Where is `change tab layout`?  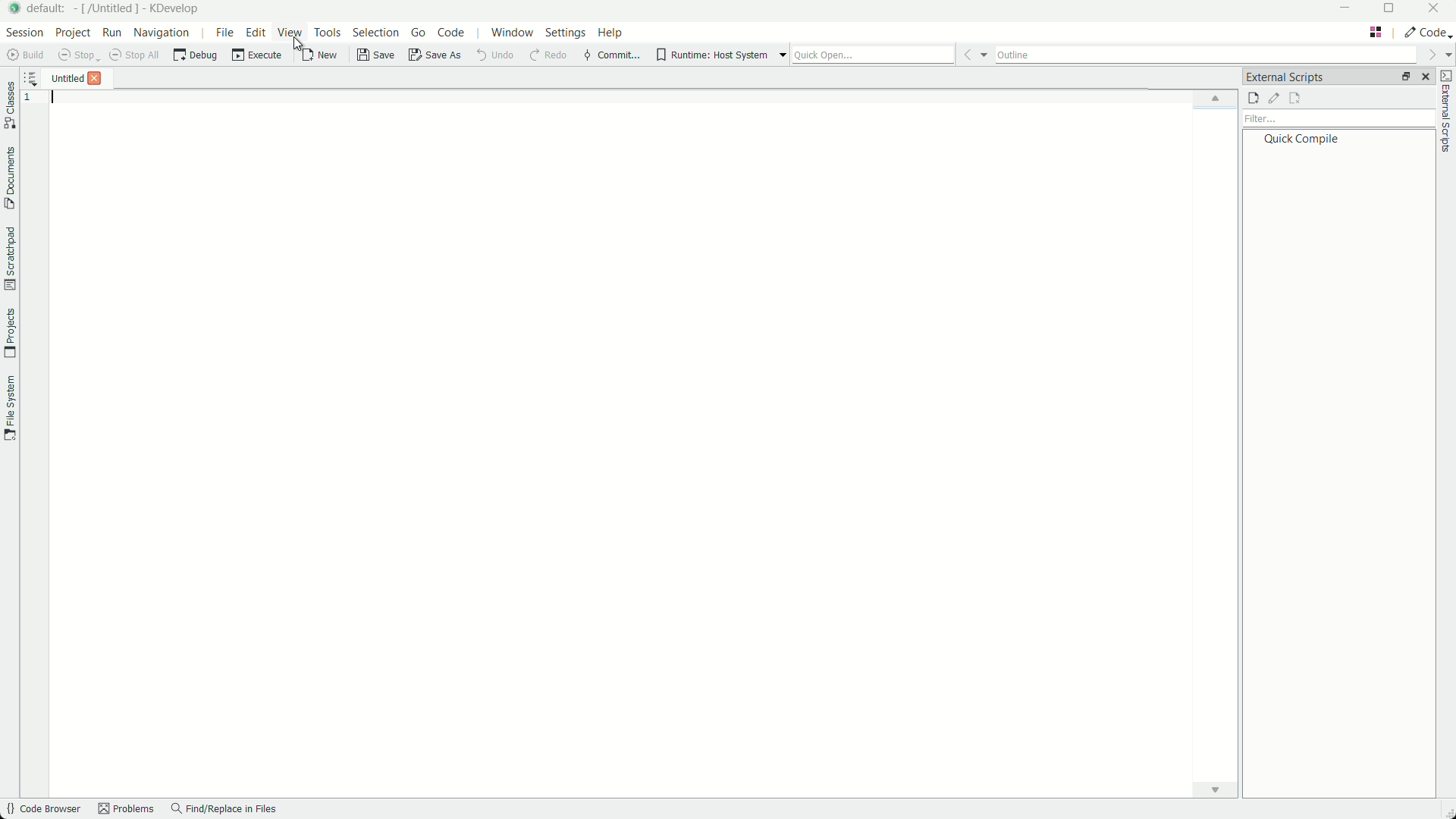
change tab layout is located at coordinates (1404, 78).